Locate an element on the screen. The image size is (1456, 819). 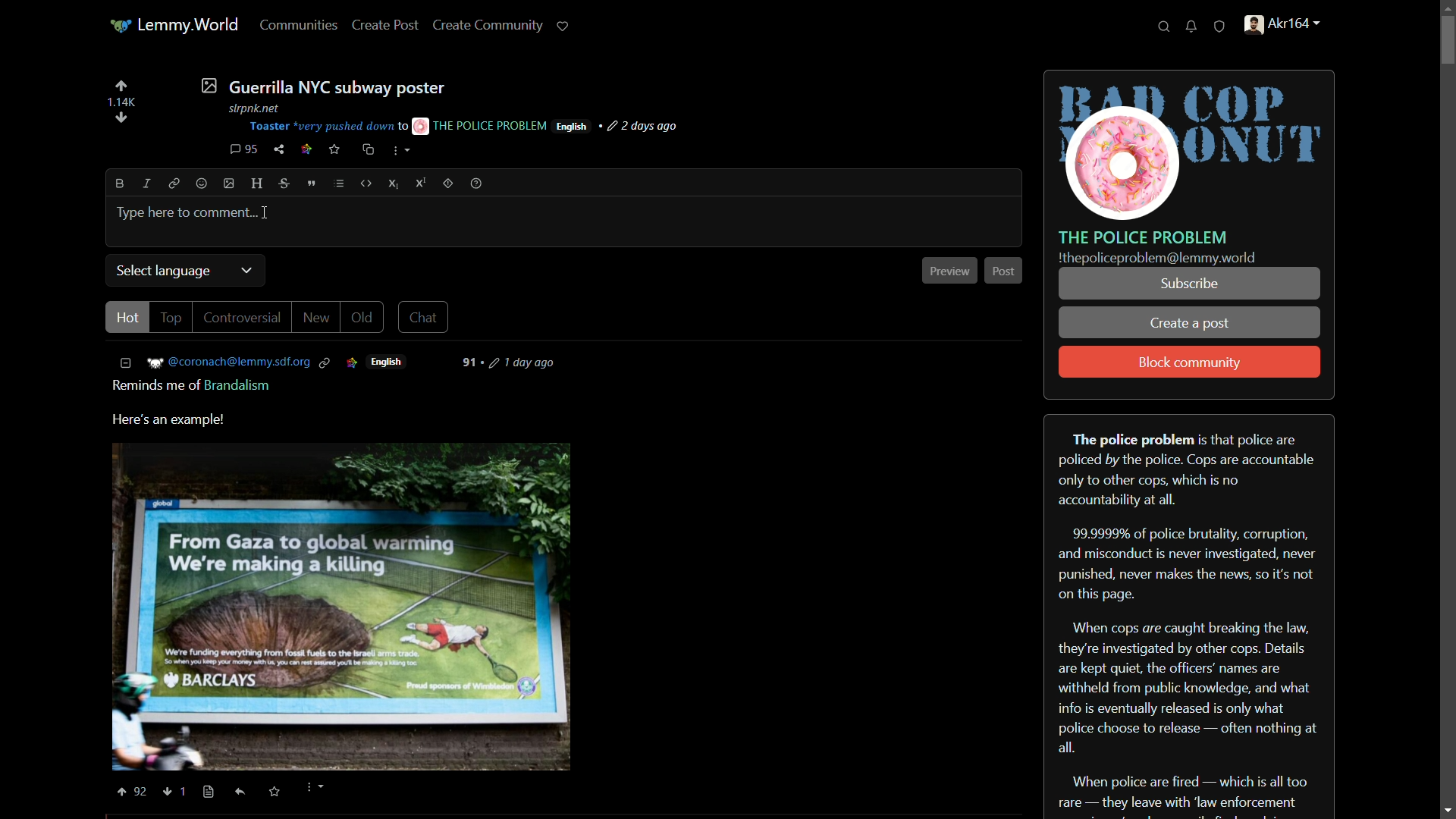
language is located at coordinates (572, 127).